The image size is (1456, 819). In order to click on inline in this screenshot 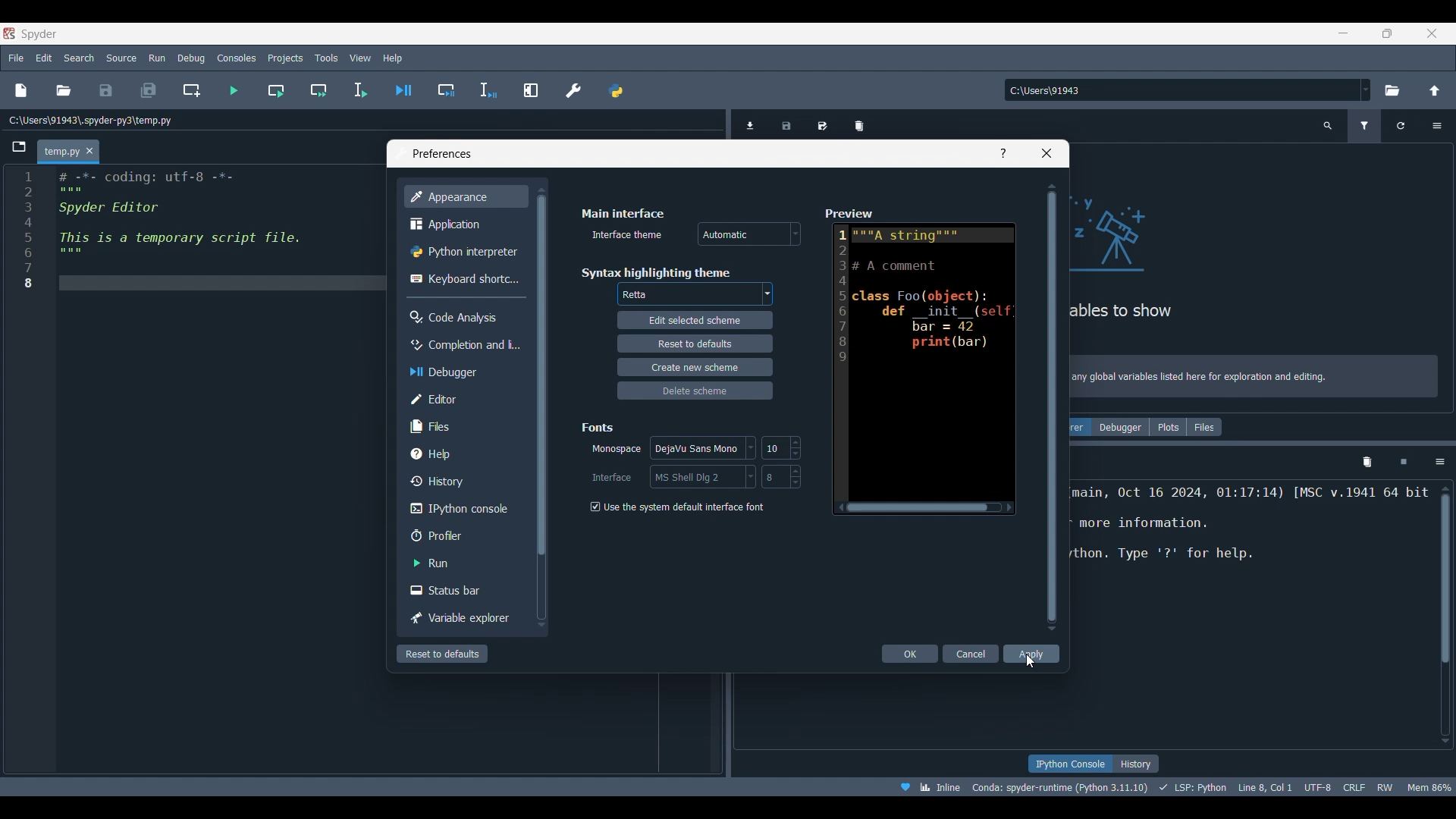, I will do `click(925, 786)`.